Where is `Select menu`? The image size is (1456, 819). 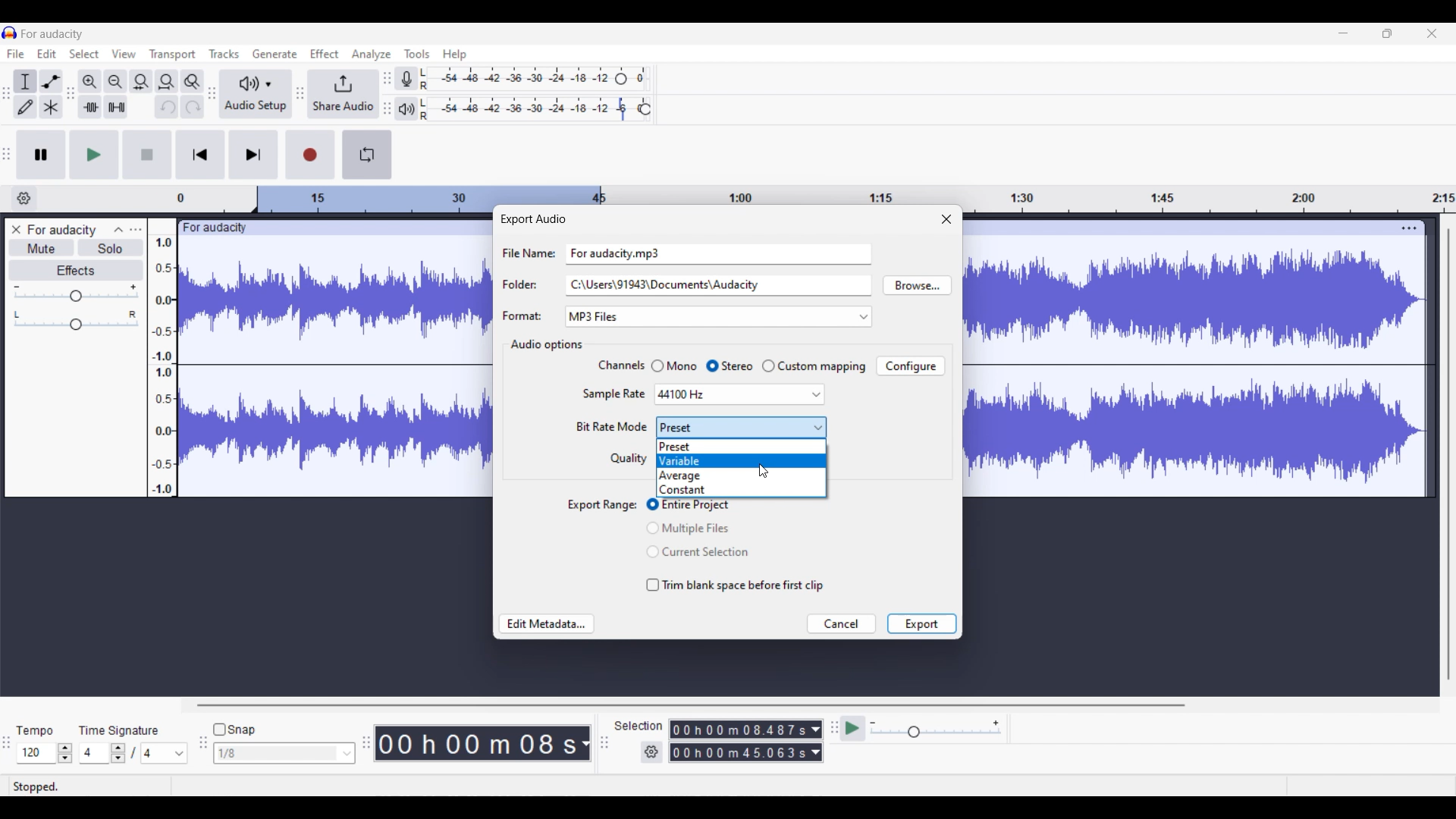 Select menu is located at coordinates (84, 54).